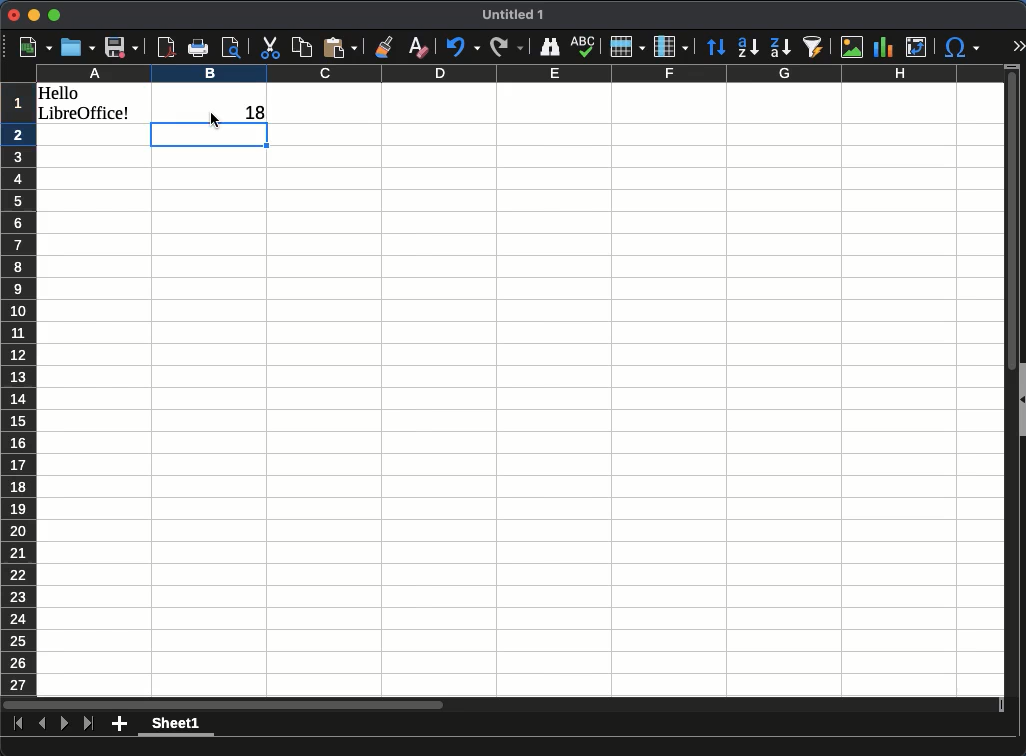 The height and width of the screenshot is (756, 1026). Describe the element at coordinates (671, 46) in the screenshot. I see `columns` at that location.